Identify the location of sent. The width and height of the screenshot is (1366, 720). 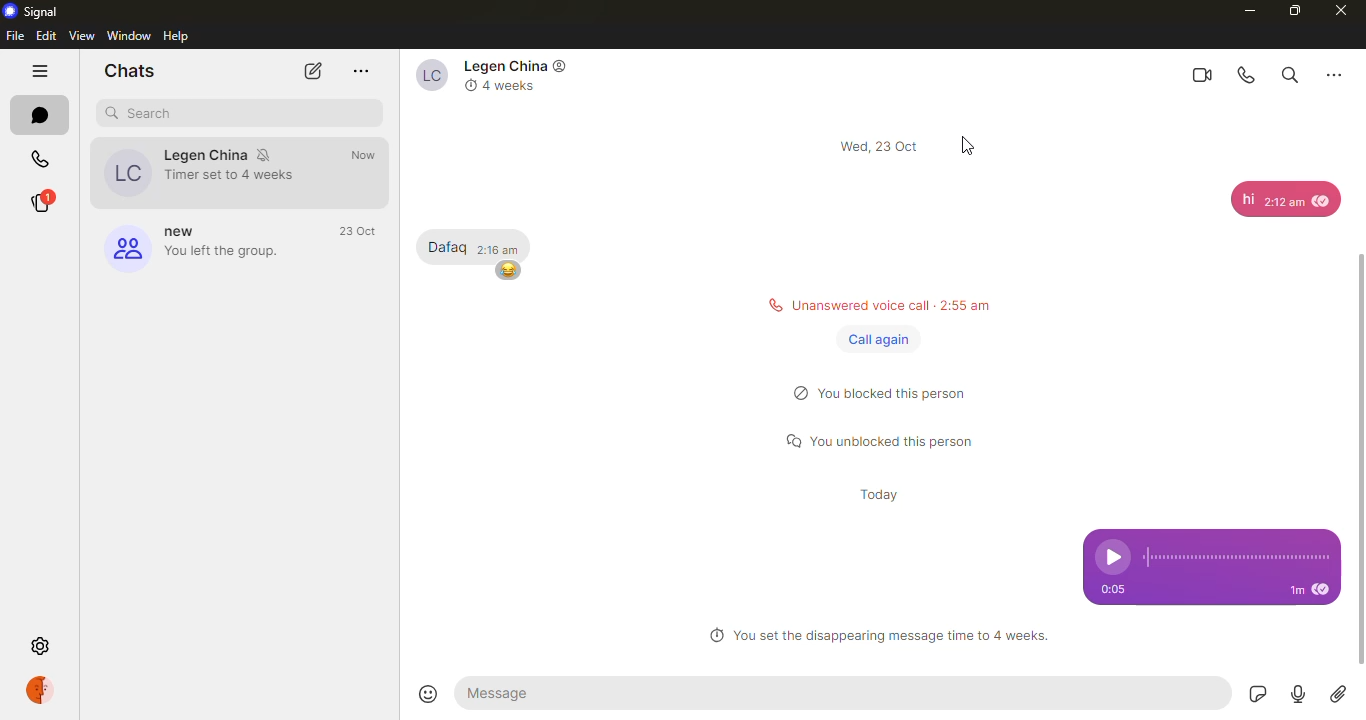
(368, 176).